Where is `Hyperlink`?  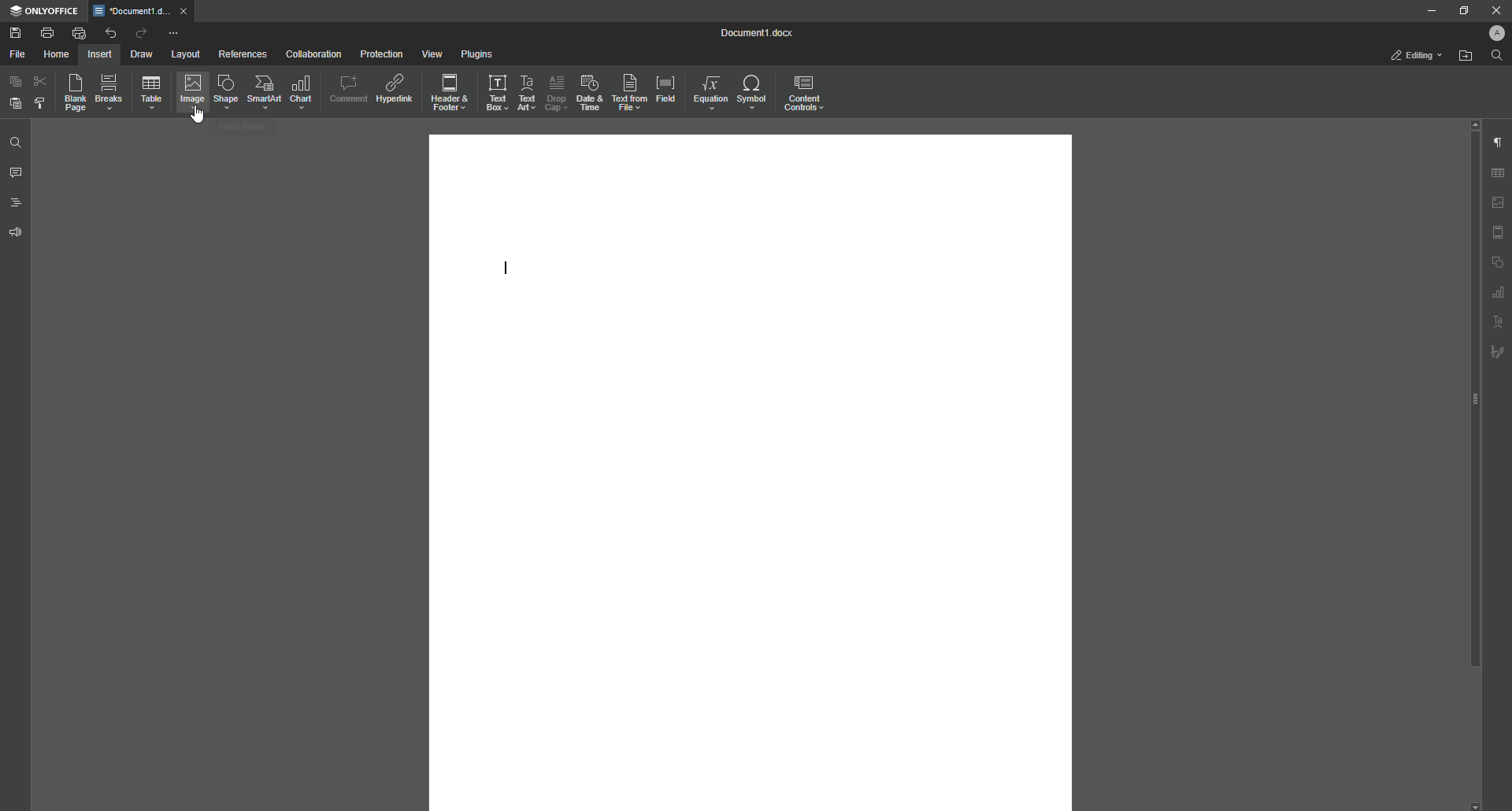 Hyperlink is located at coordinates (395, 91).